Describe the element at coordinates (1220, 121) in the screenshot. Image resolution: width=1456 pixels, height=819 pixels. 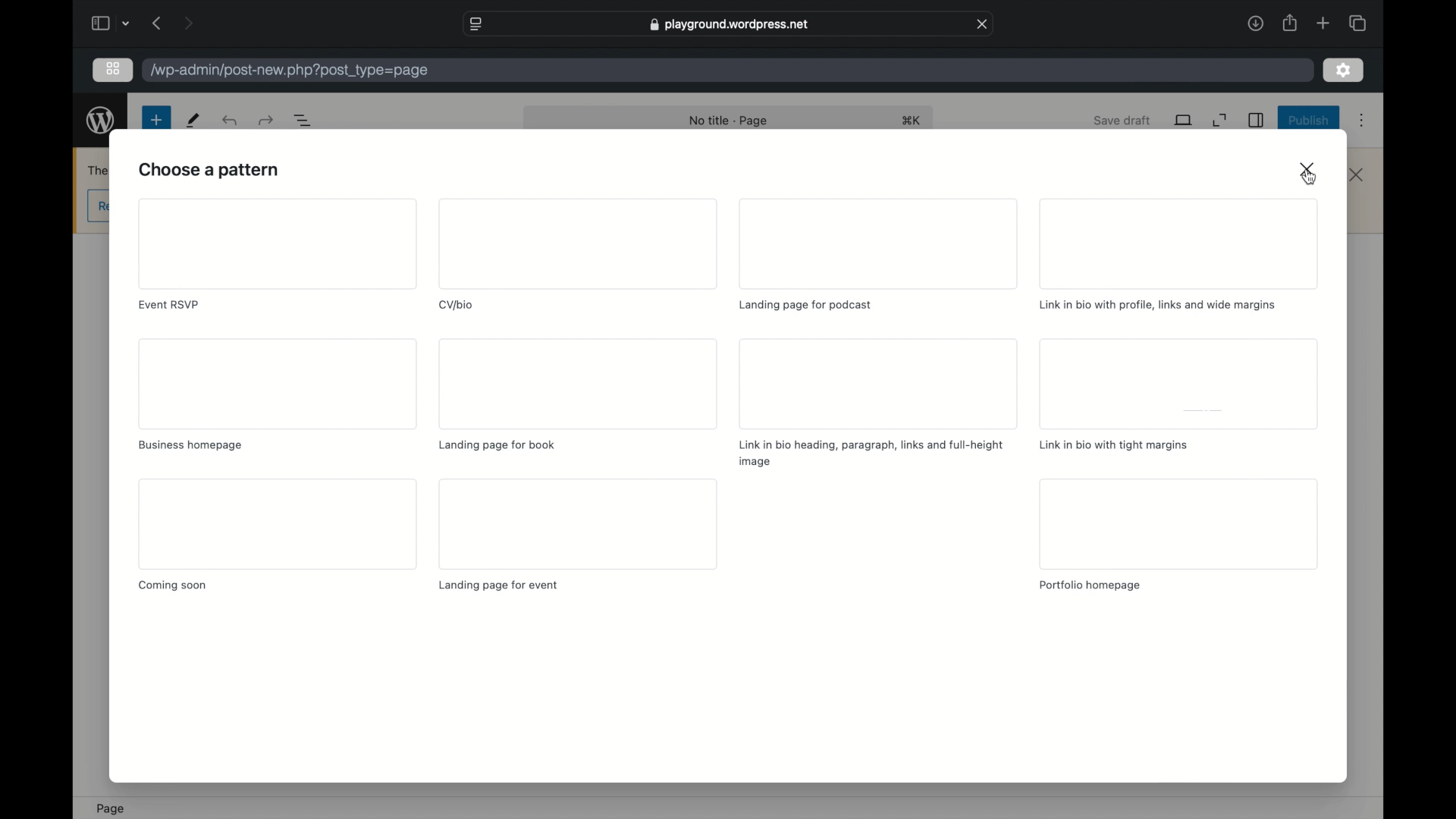
I see `expand` at that location.